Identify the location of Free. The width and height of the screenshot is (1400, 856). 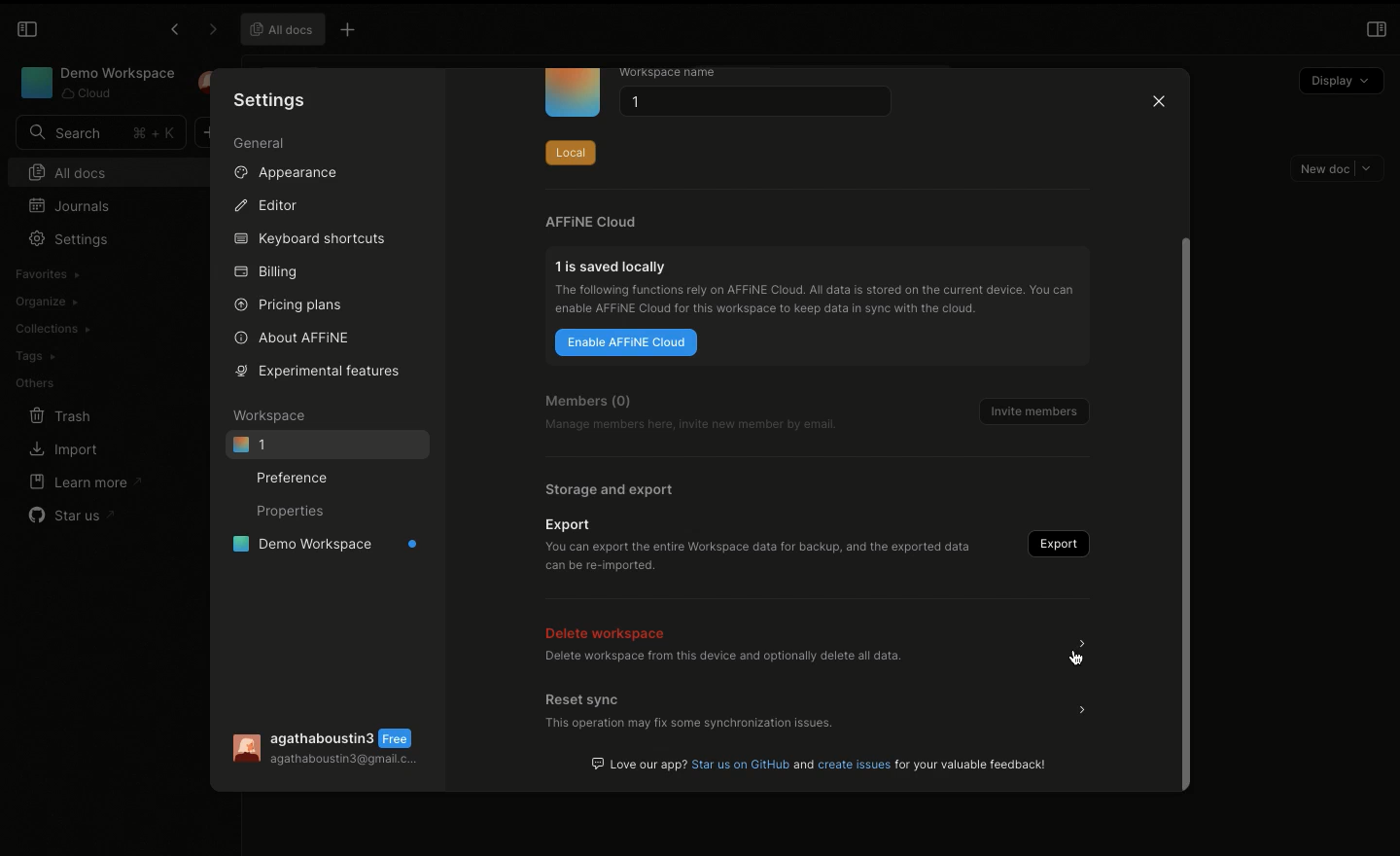
(400, 738).